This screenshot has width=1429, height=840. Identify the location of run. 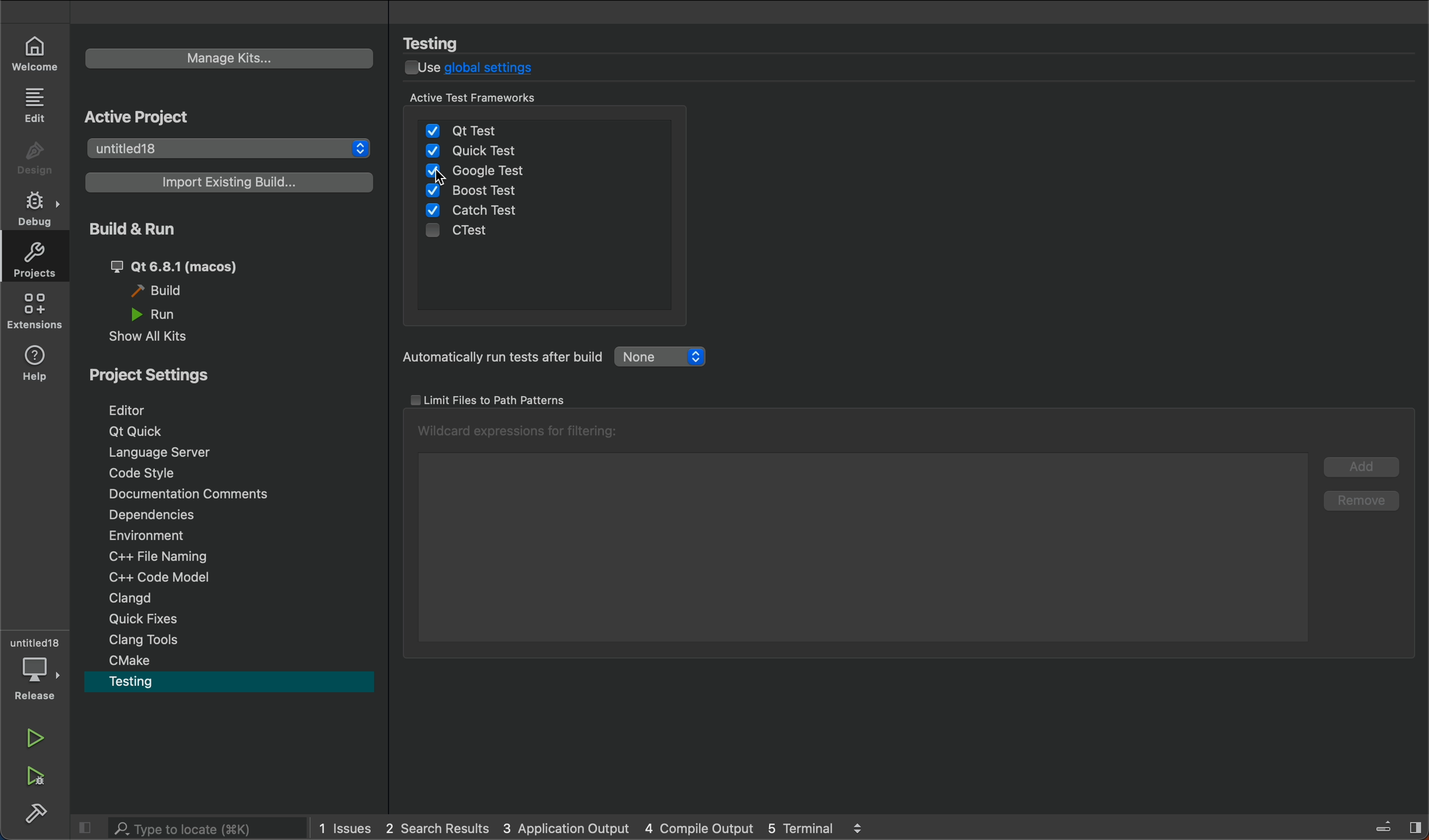
(32, 740).